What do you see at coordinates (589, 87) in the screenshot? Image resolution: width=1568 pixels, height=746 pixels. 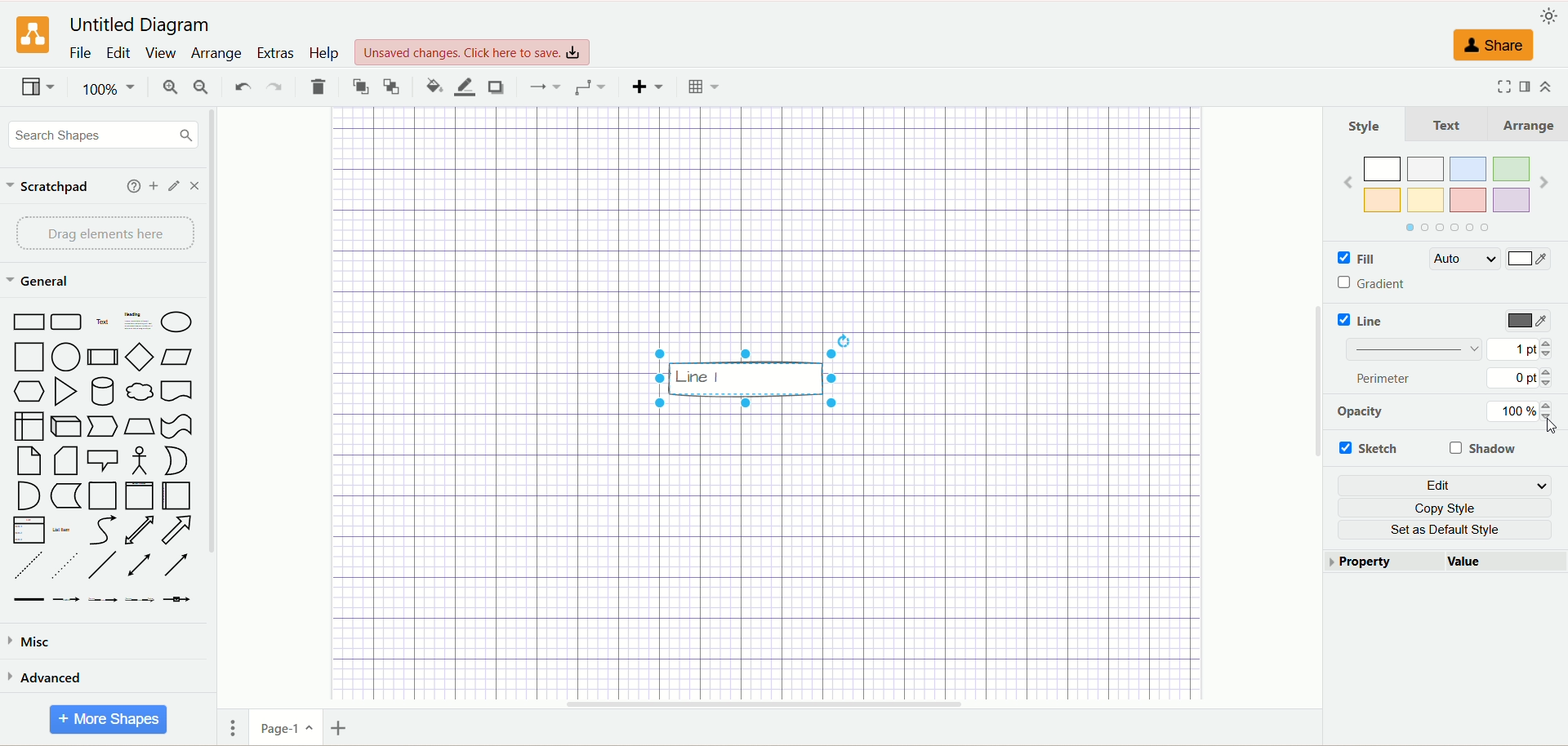 I see `waypoint` at bounding box center [589, 87].